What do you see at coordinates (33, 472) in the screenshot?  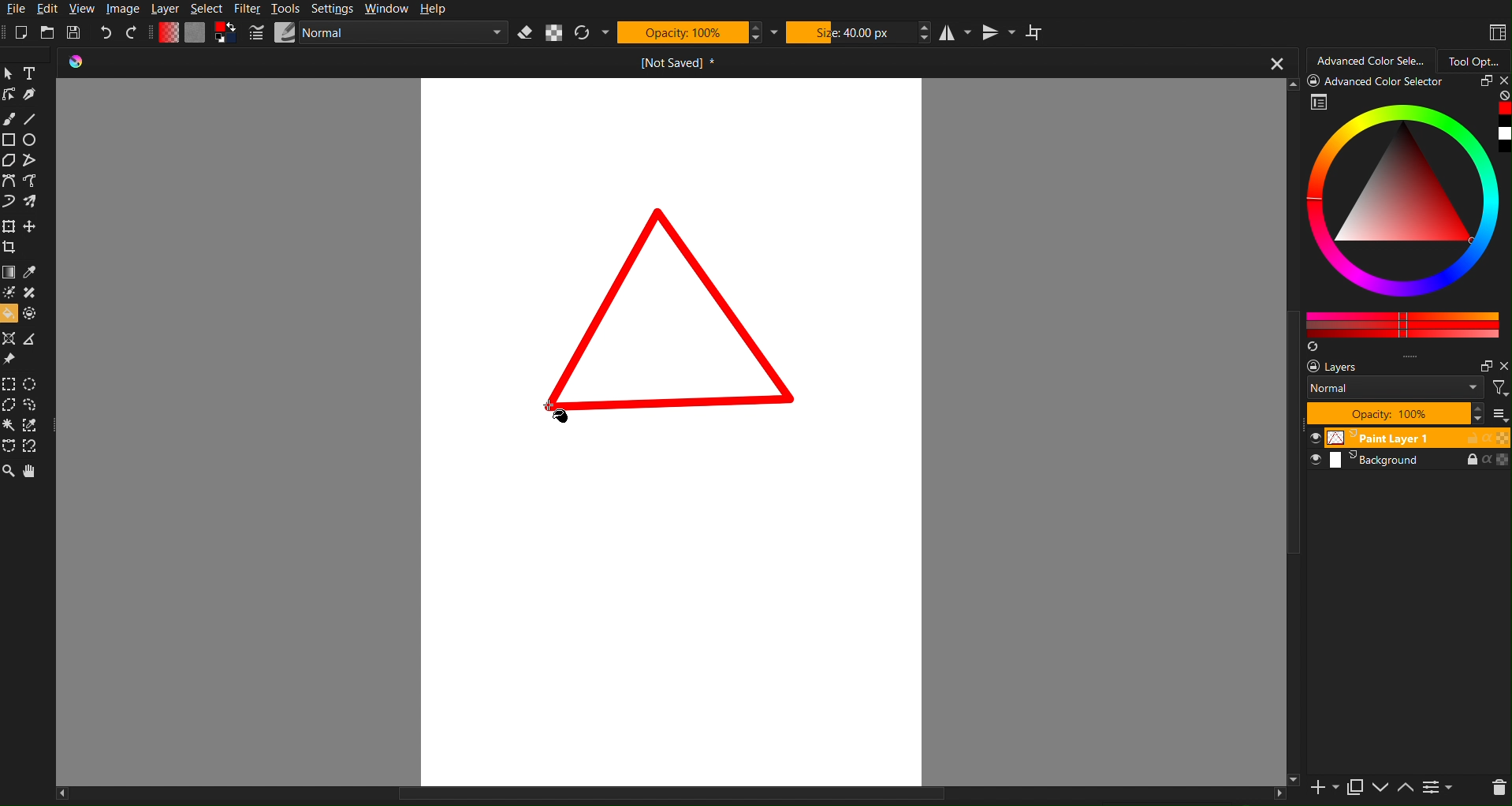 I see `Pan` at bounding box center [33, 472].